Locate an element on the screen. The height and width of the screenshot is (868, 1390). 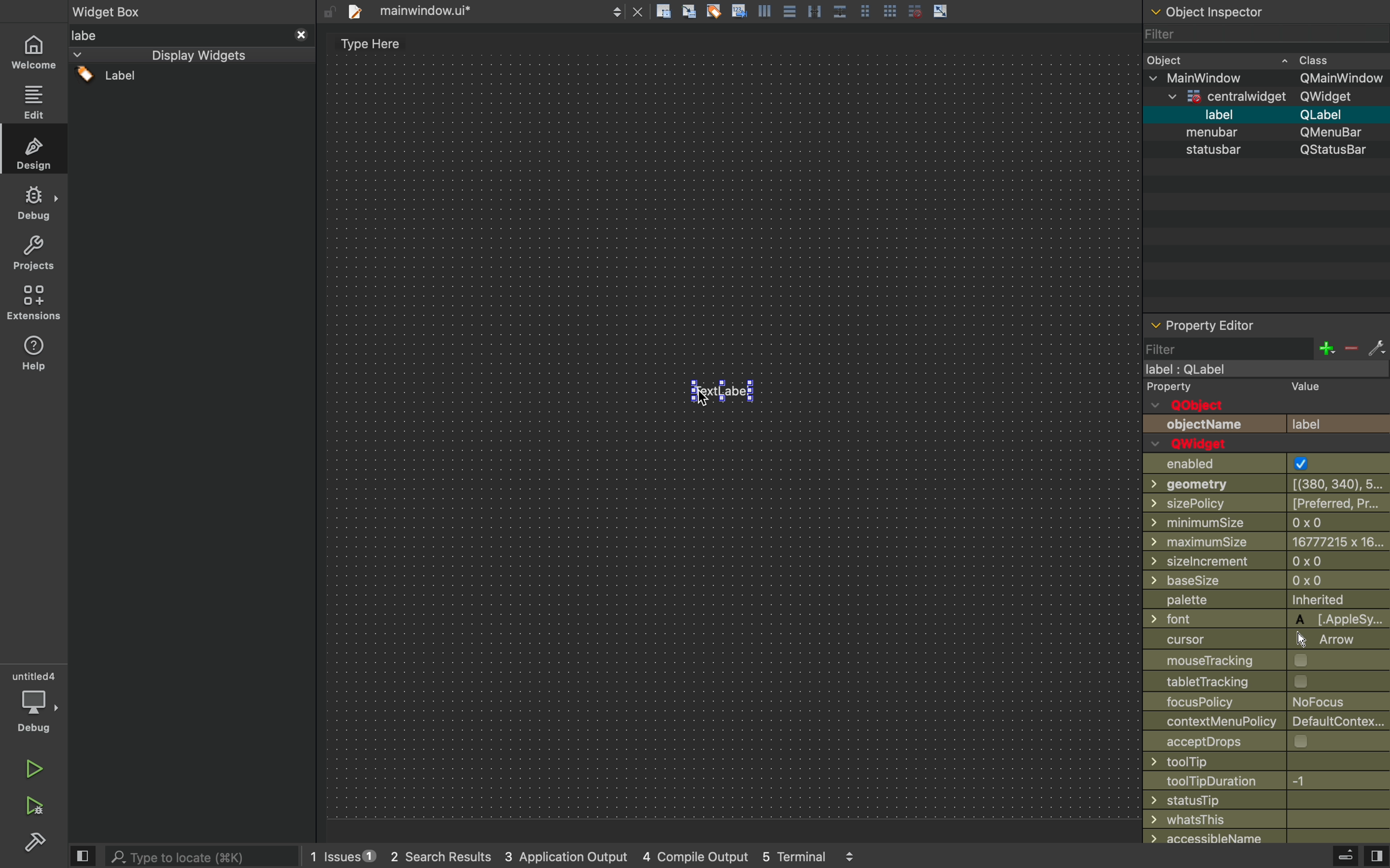
Parallel is located at coordinates (817, 11).